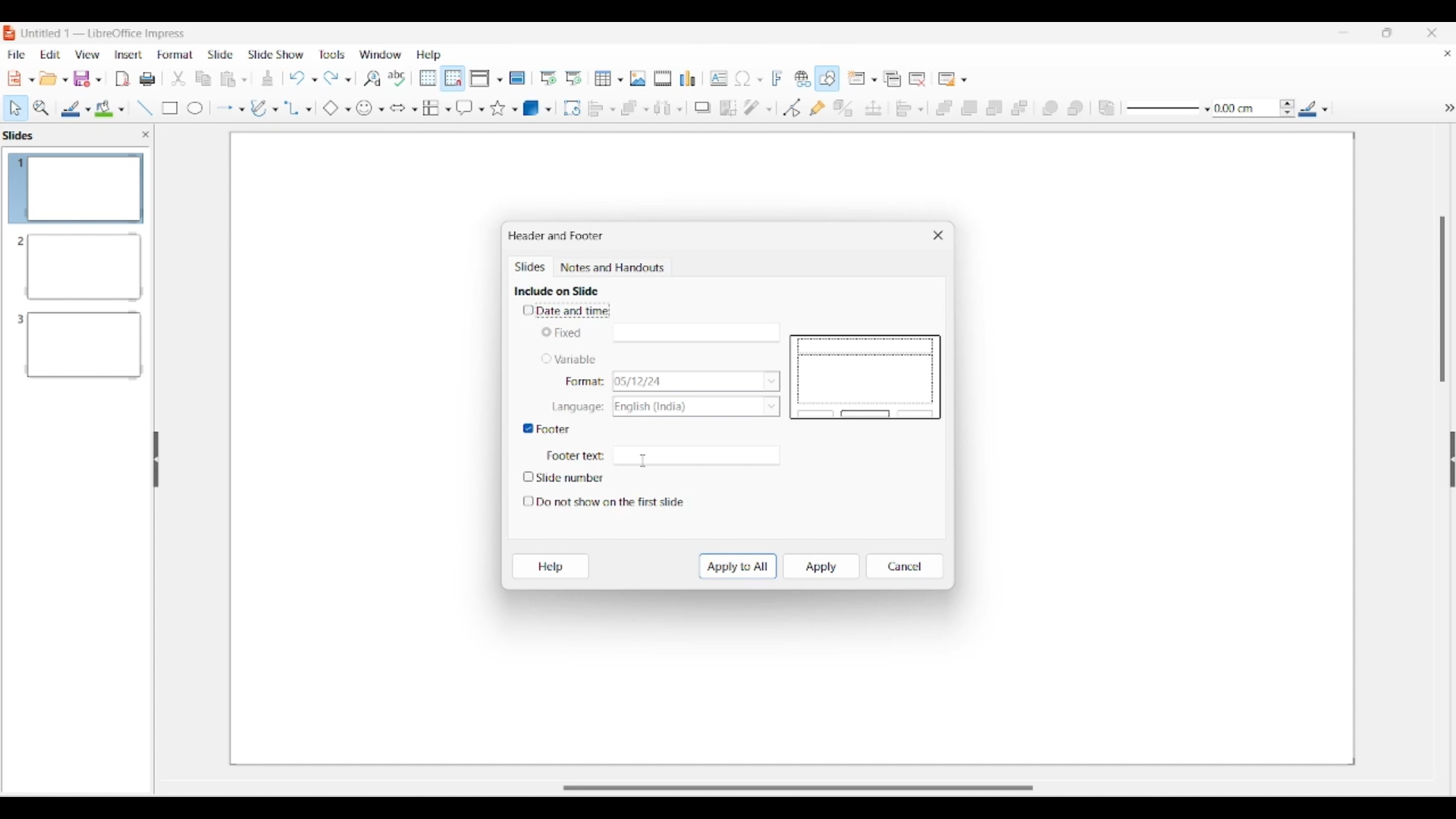 The image size is (1456, 819). Describe the element at coordinates (918, 80) in the screenshot. I see `Delete slide` at that location.